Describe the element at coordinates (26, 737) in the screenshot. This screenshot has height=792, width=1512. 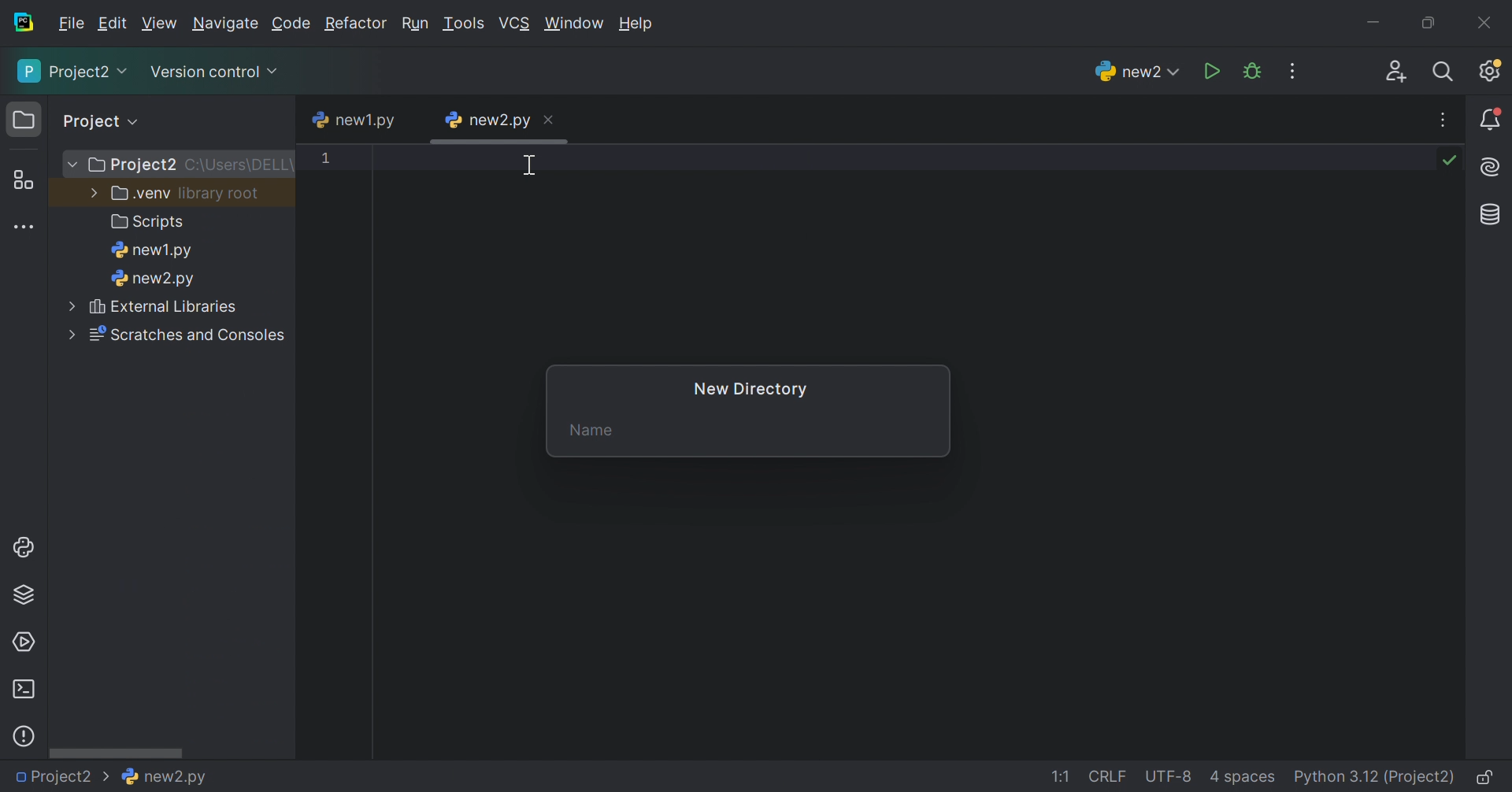
I see `Problems` at that location.